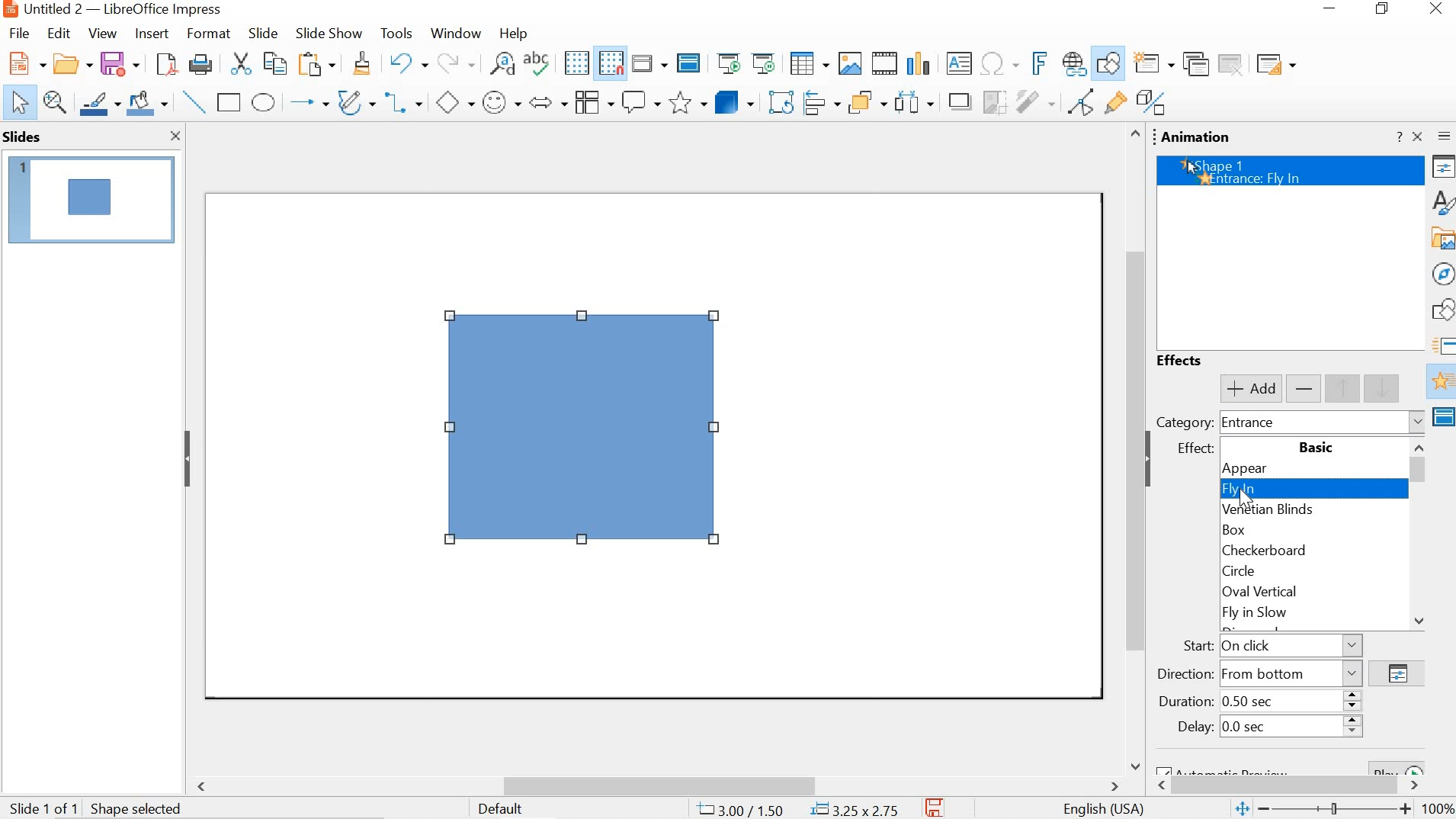 Image resolution: width=1456 pixels, height=819 pixels. What do you see at coordinates (409, 63) in the screenshot?
I see `undo` at bounding box center [409, 63].